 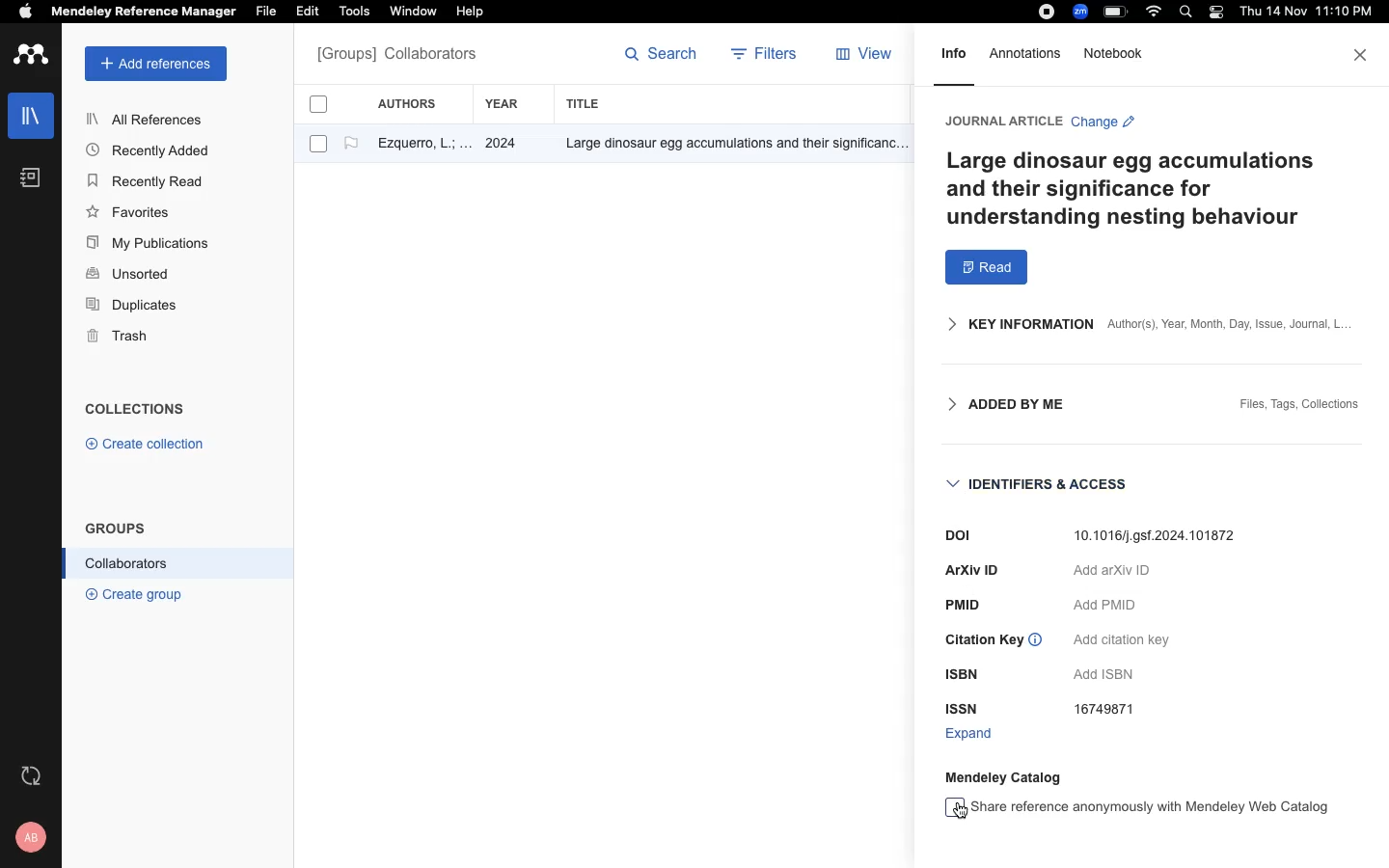 I want to click on expand, so click(x=969, y=734).